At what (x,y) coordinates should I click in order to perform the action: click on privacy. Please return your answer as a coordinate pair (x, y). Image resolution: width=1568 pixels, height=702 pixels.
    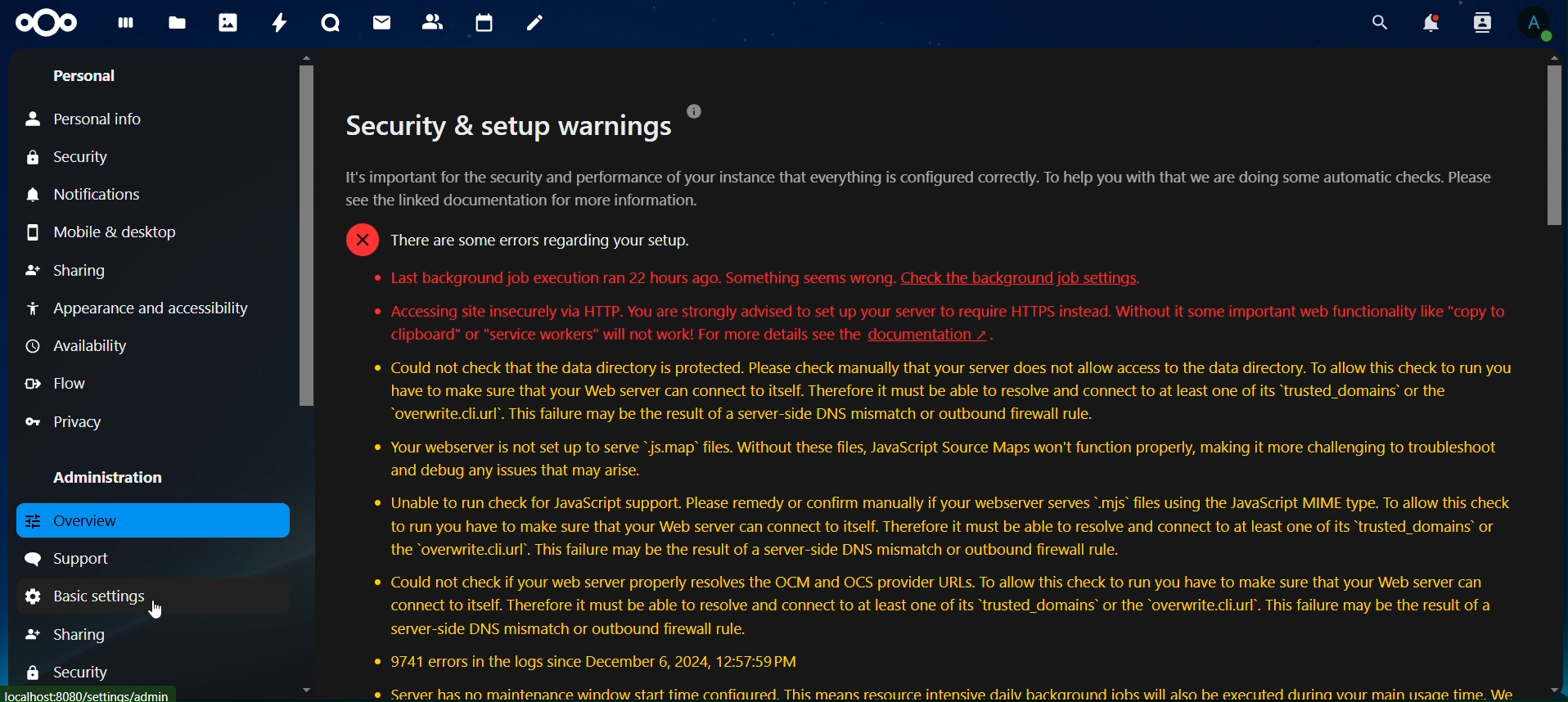
    Looking at the image, I should click on (65, 422).